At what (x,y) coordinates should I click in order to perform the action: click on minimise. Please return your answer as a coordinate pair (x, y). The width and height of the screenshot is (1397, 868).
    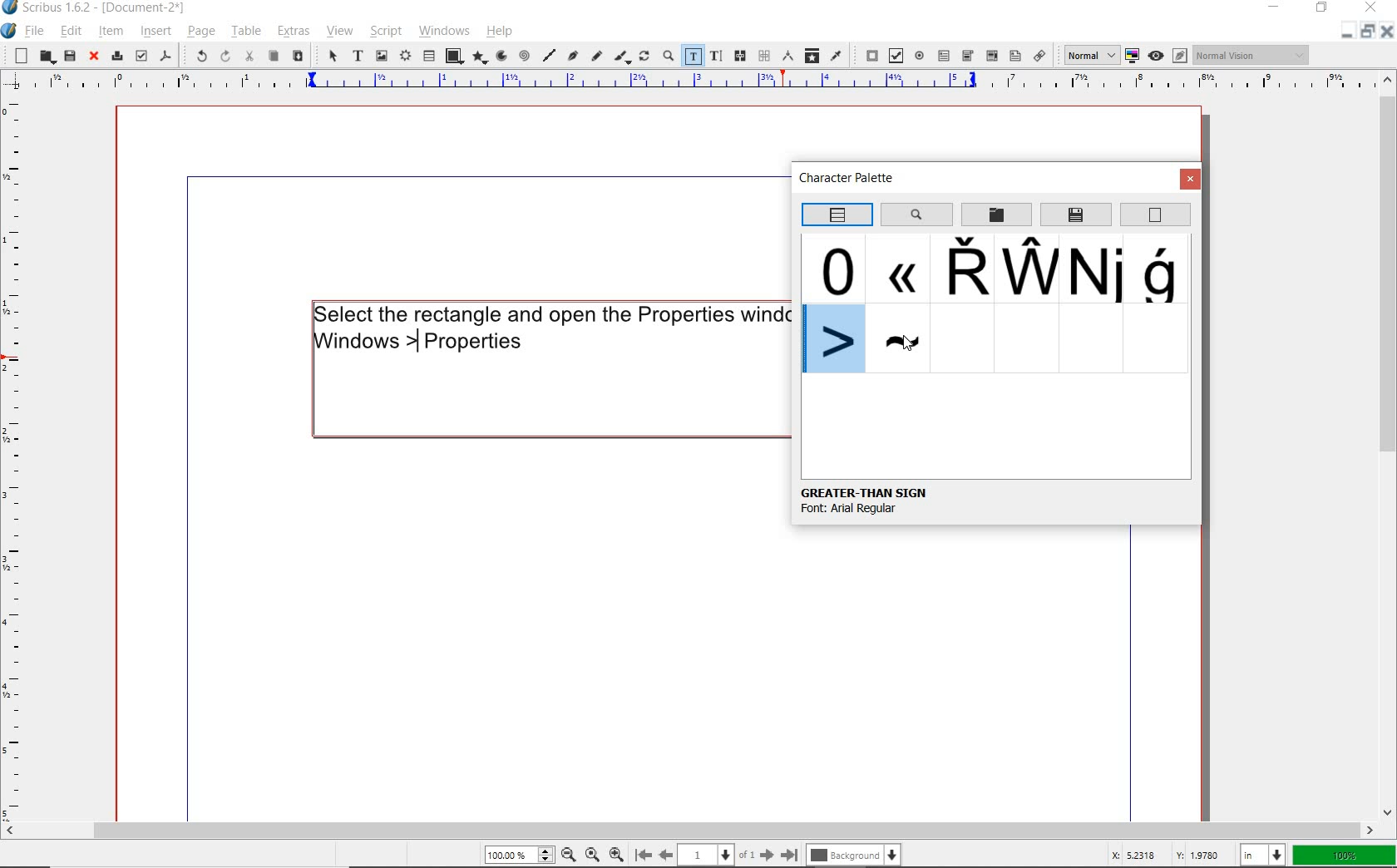
    Looking at the image, I should click on (1344, 34).